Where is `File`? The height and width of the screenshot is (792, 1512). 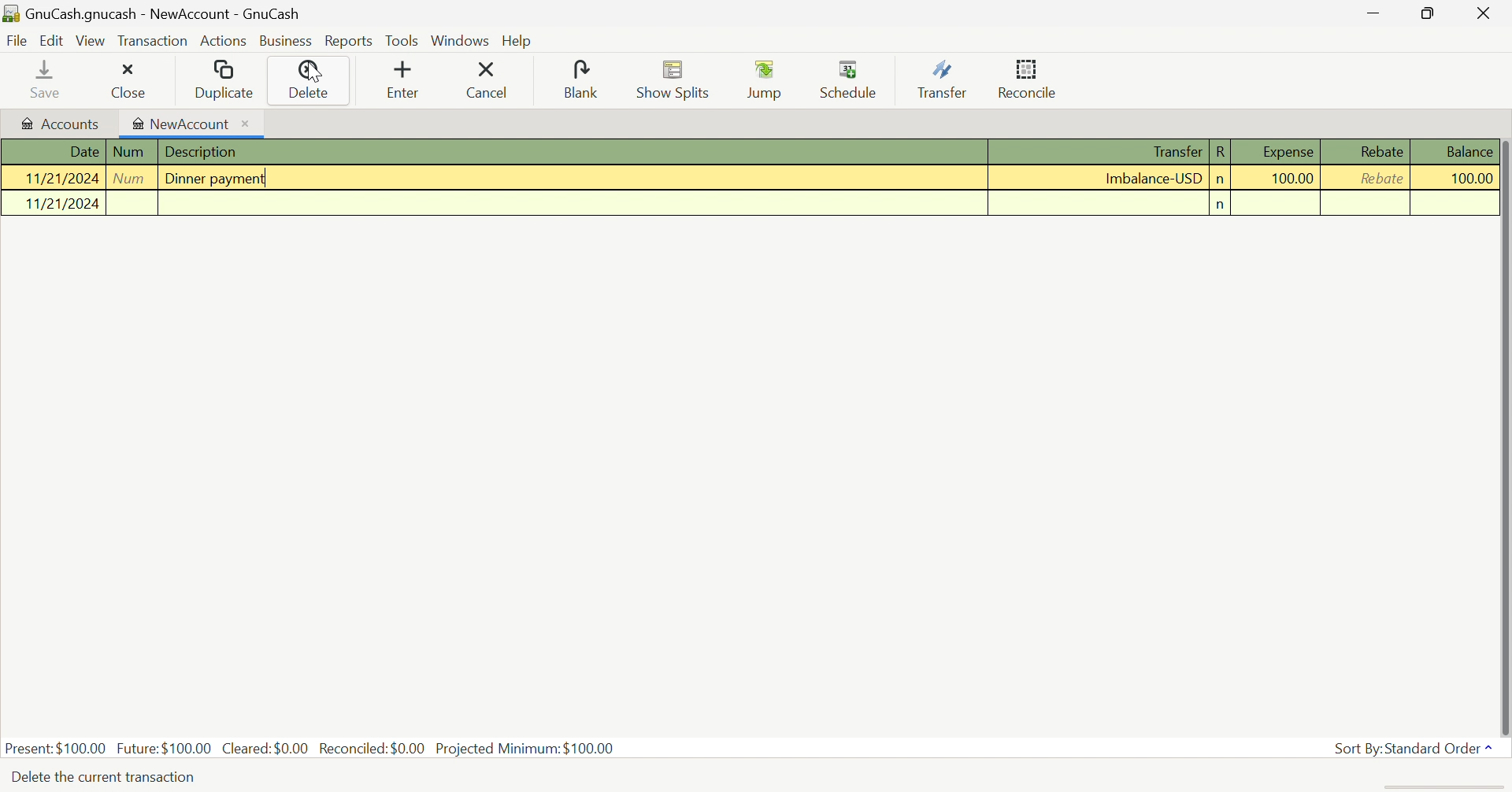 File is located at coordinates (17, 43).